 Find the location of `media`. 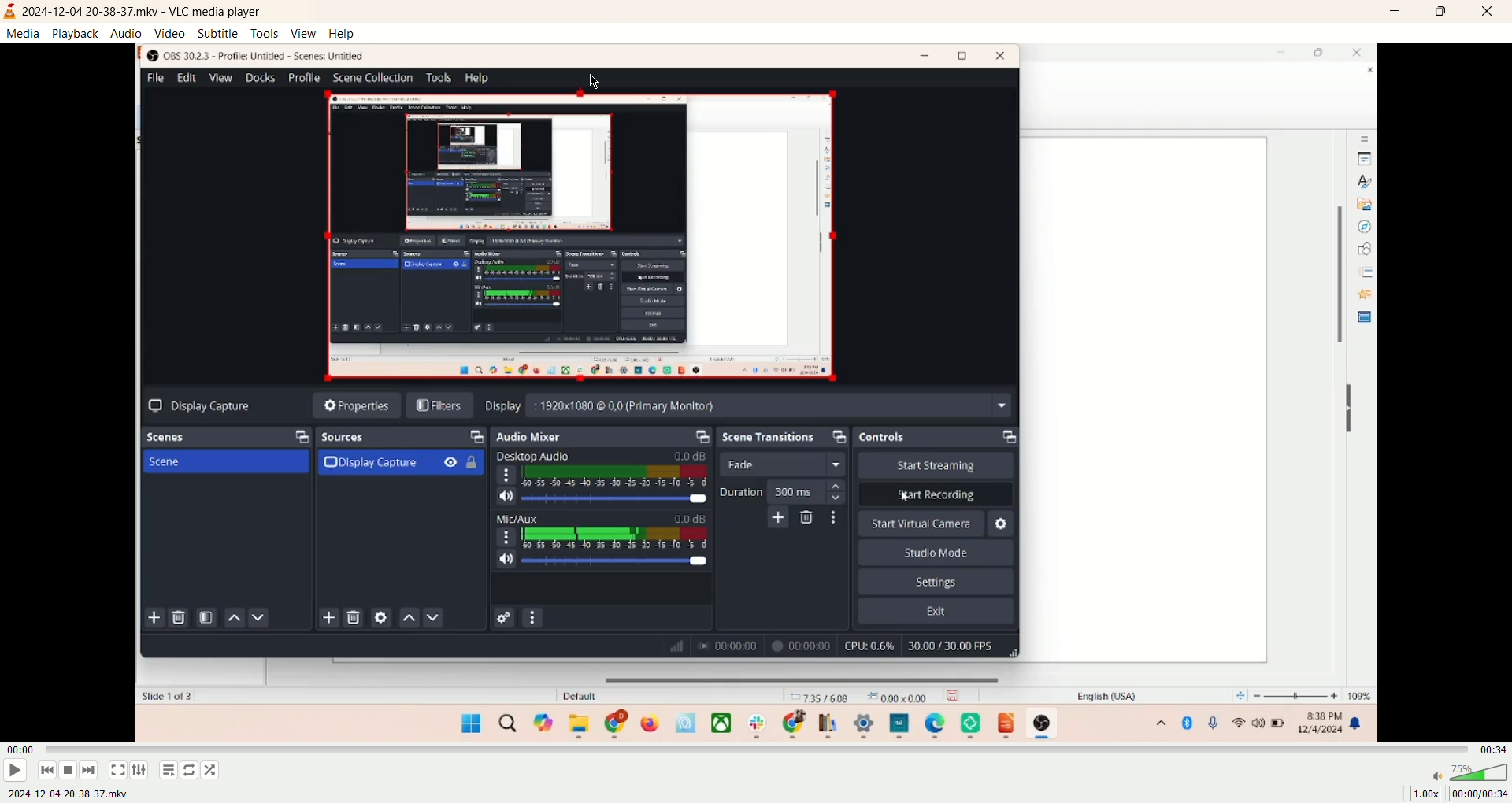

media is located at coordinates (21, 35).